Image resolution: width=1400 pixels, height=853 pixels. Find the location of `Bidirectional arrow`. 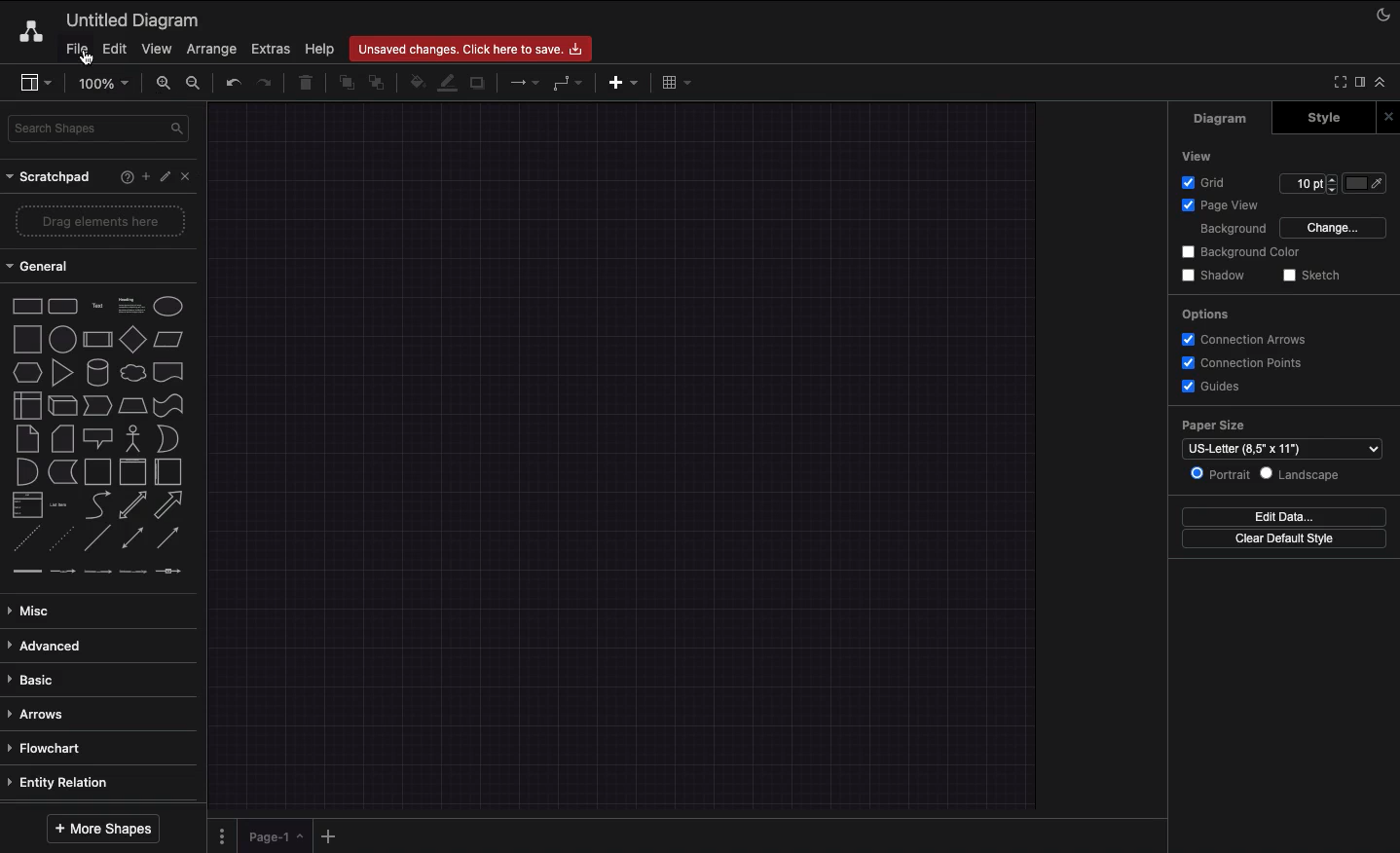

Bidirectional arrow is located at coordinates (132, 504).